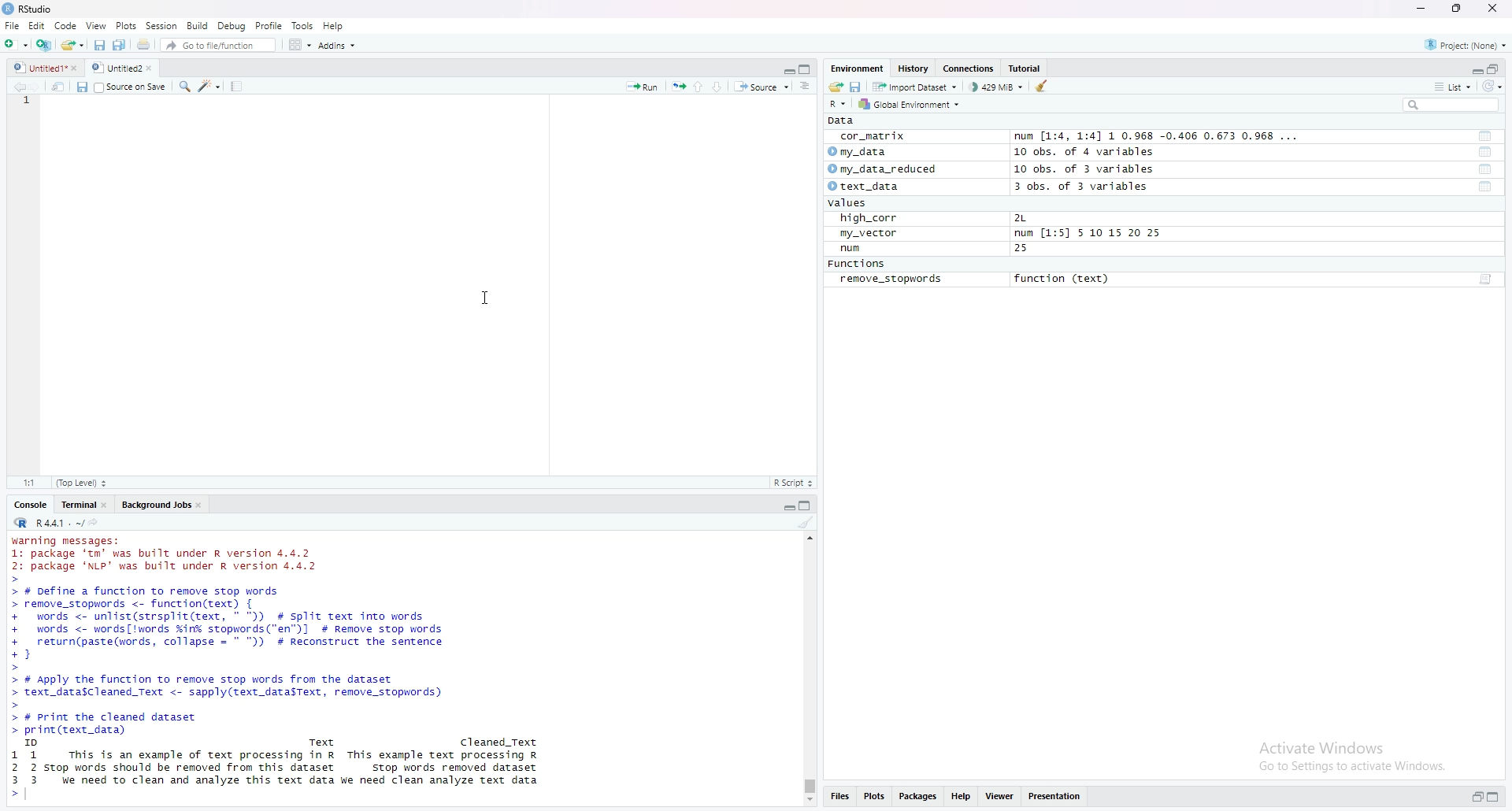 This screenshot has width=1512, height=811. I want to click on Global Environment, so click(913, 104).